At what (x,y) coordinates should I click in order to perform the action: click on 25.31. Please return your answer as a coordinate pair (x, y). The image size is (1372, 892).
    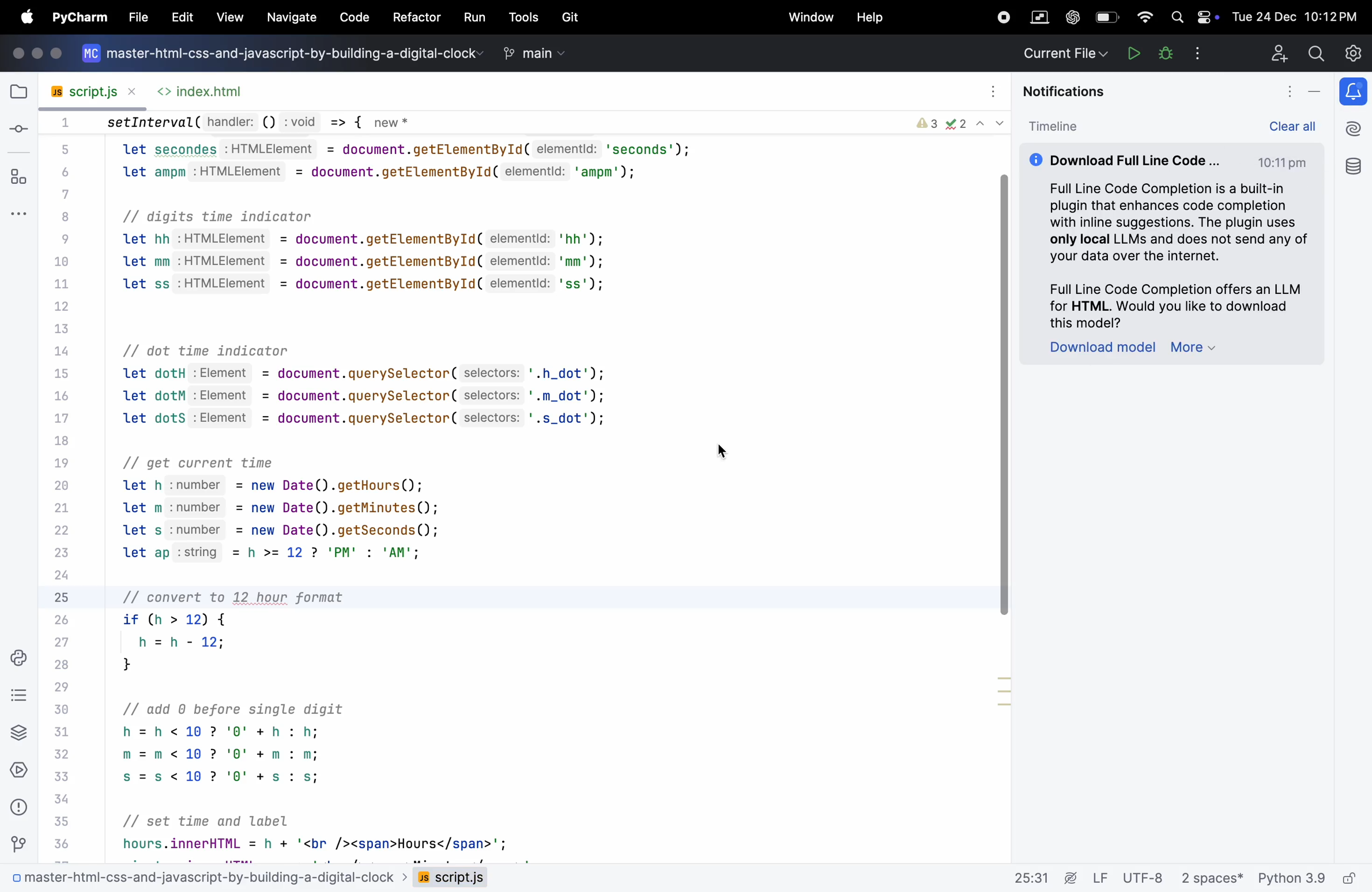
    Looking at the image, I should click on (1042, 878).